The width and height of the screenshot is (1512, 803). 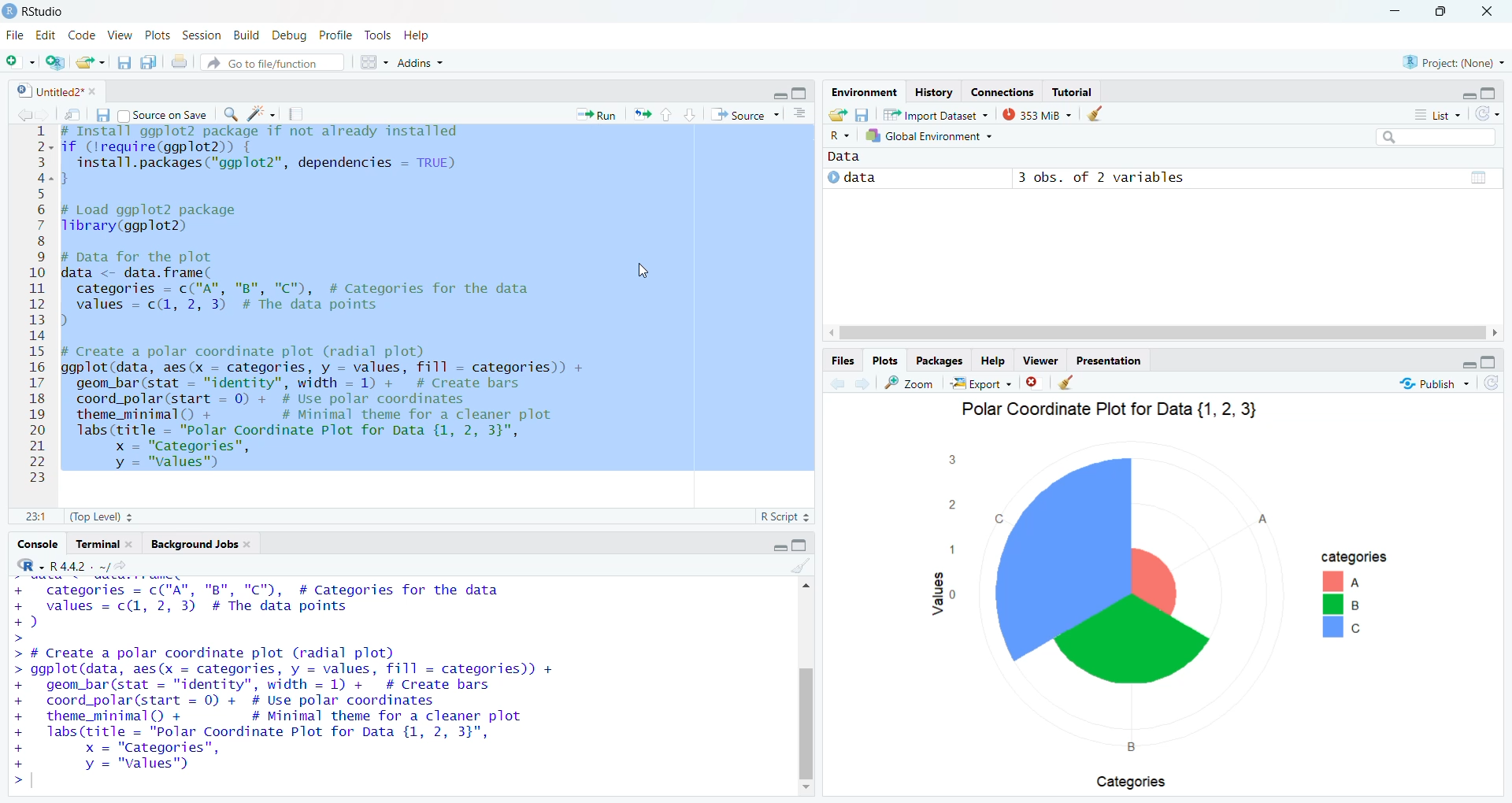 What do you see at coordinates (200, 546) in the screenshot?
I see `‘Background Jobs` at bounding box center [200, 546].